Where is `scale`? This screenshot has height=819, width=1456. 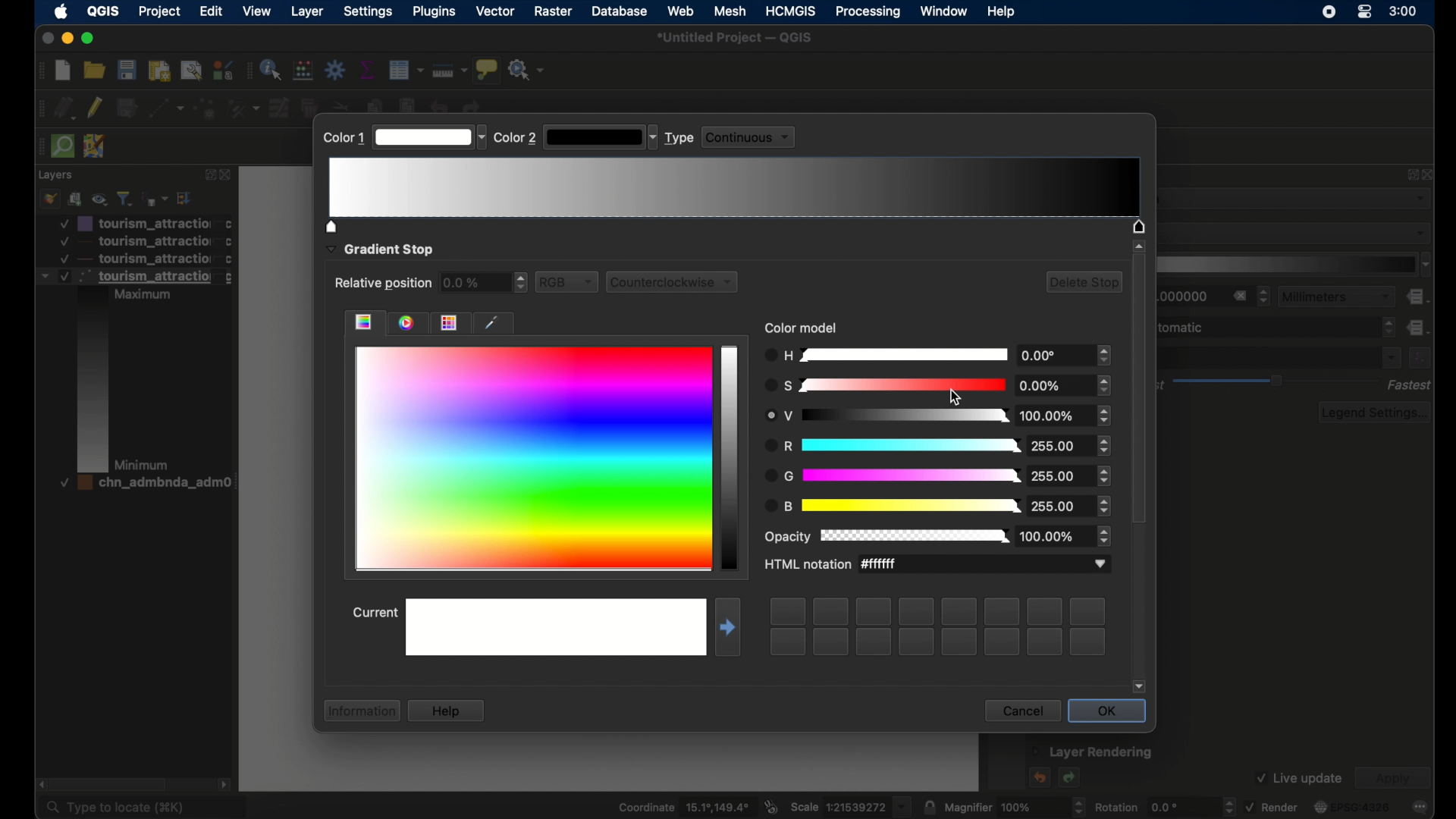 scale is located at coordinates (851, 806).